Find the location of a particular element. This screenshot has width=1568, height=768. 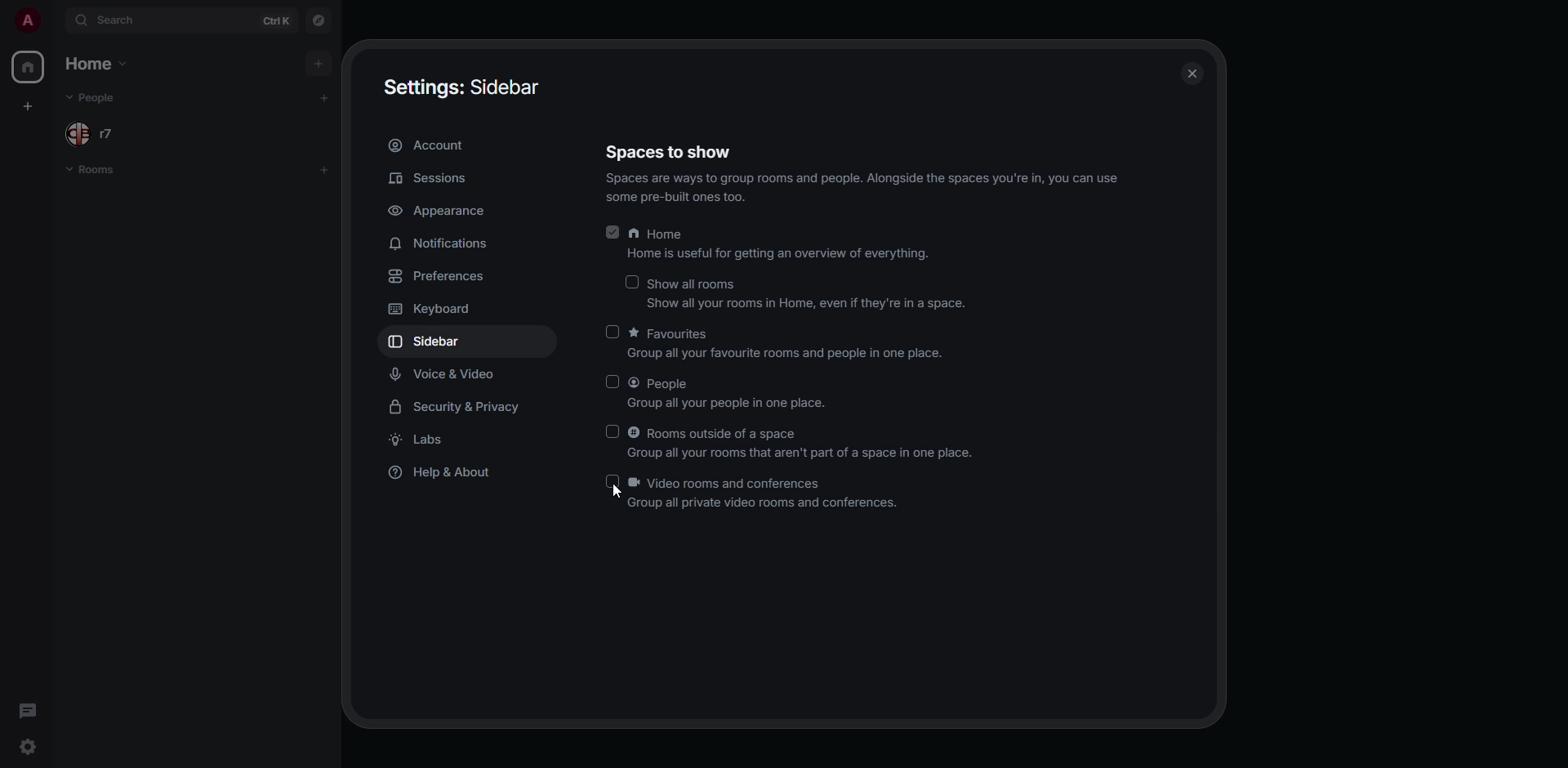

security & privacy is located at coordinates (457, 407).